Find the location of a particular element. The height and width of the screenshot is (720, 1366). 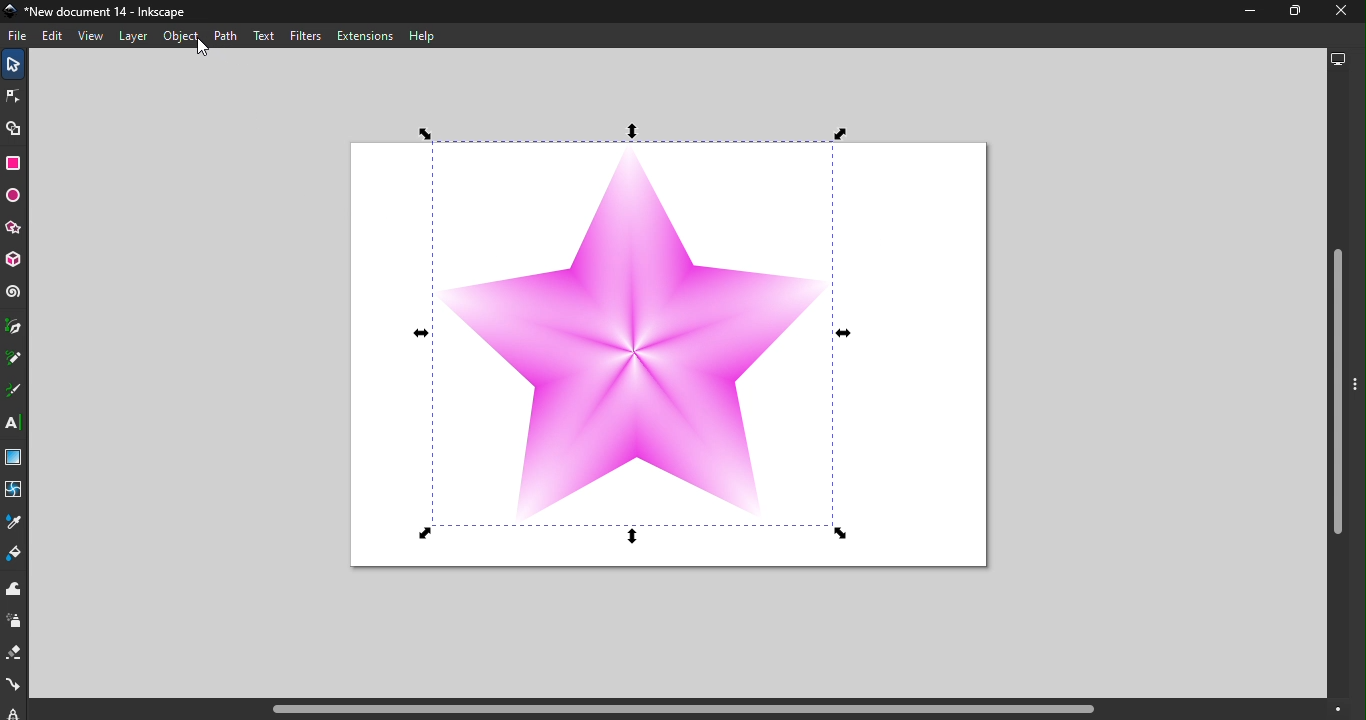

lpe is located at coordinates (10, 712).